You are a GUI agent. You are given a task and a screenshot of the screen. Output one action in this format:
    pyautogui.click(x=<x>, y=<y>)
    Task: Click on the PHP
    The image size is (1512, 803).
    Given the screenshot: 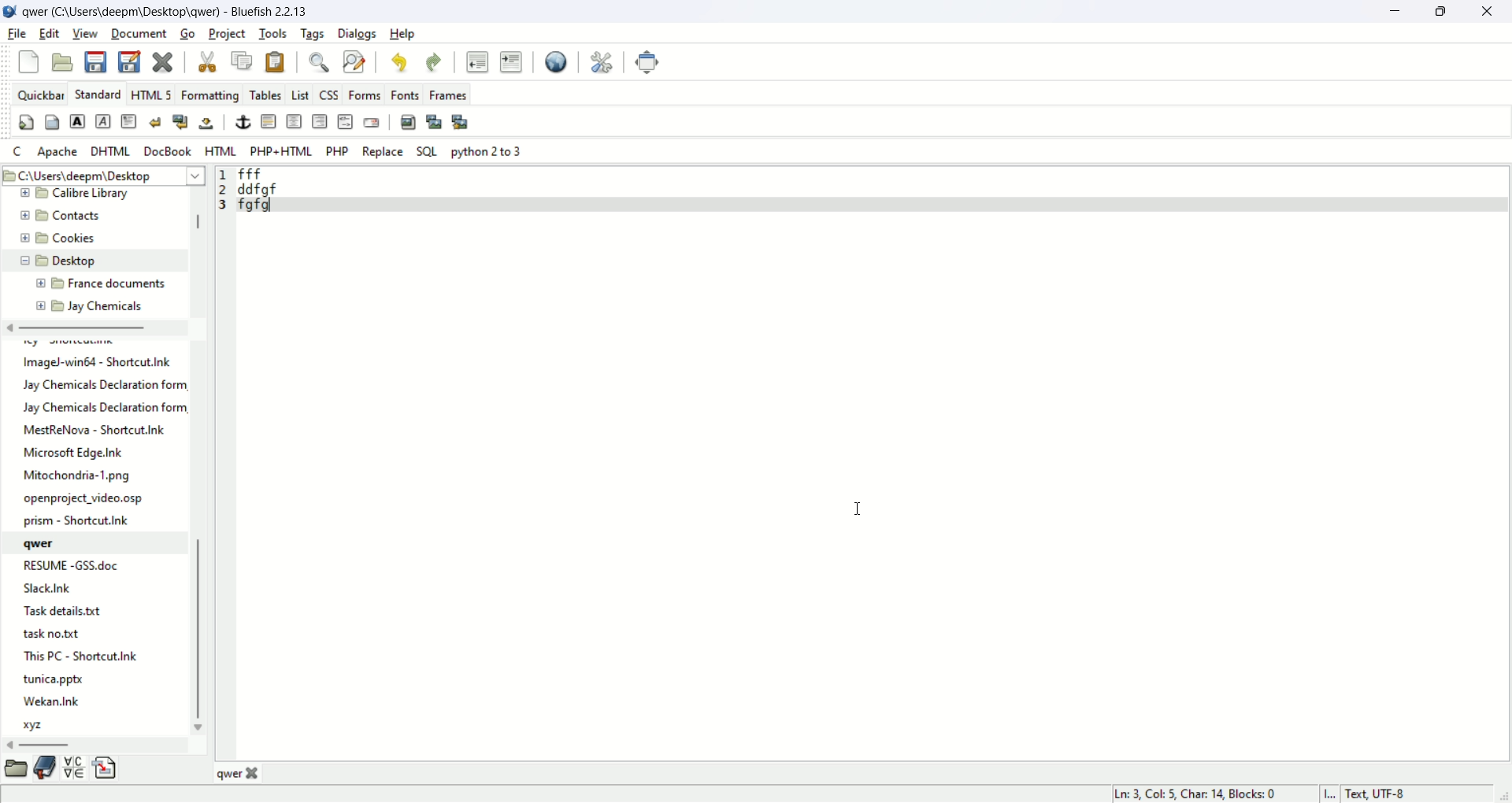 What is the action you would take?
    pyautogui.click(x=338, y=150)
    